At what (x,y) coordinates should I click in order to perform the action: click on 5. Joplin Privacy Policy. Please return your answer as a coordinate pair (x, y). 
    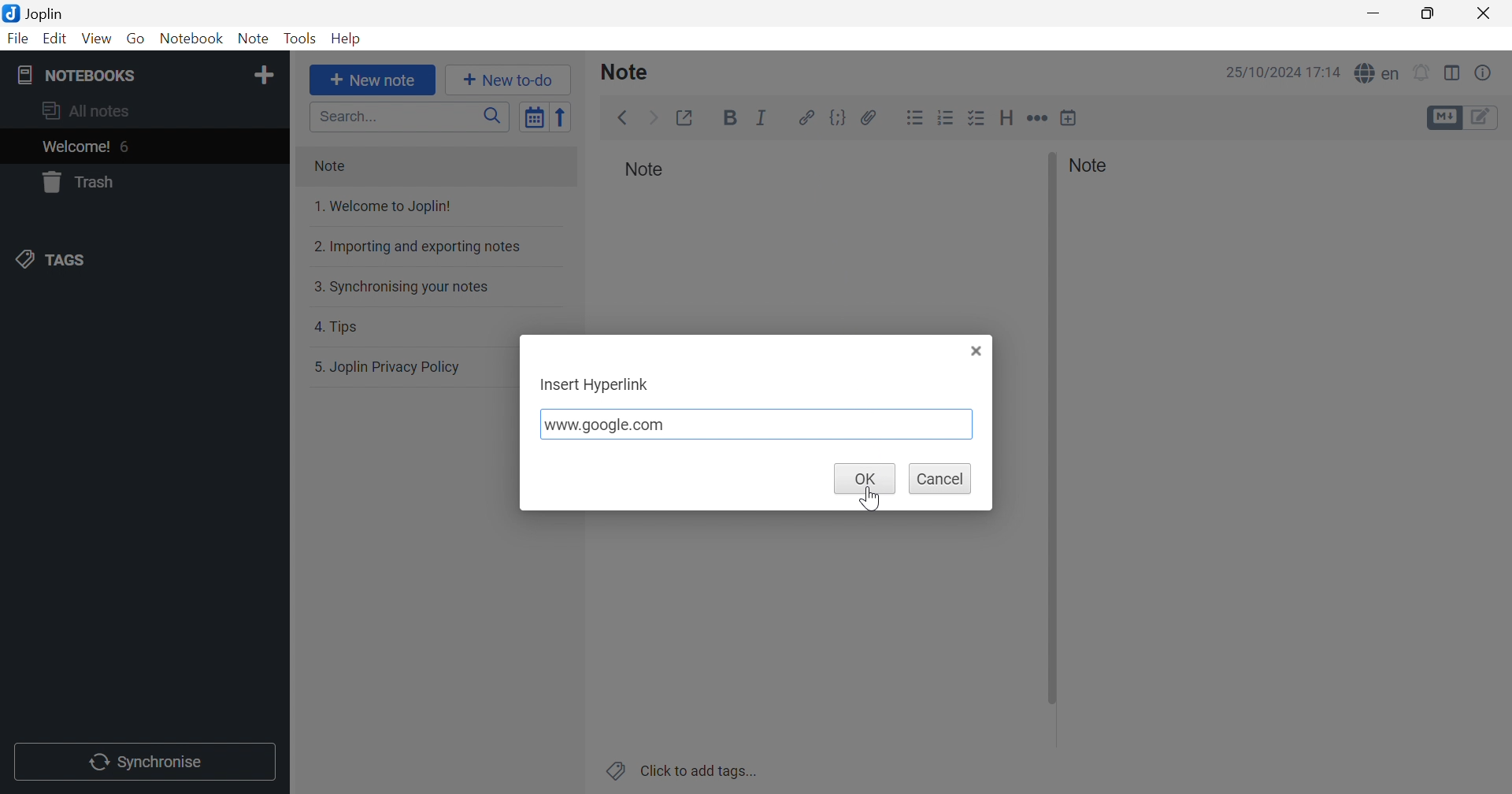
    Looking at the image, I should click on (414, 368).